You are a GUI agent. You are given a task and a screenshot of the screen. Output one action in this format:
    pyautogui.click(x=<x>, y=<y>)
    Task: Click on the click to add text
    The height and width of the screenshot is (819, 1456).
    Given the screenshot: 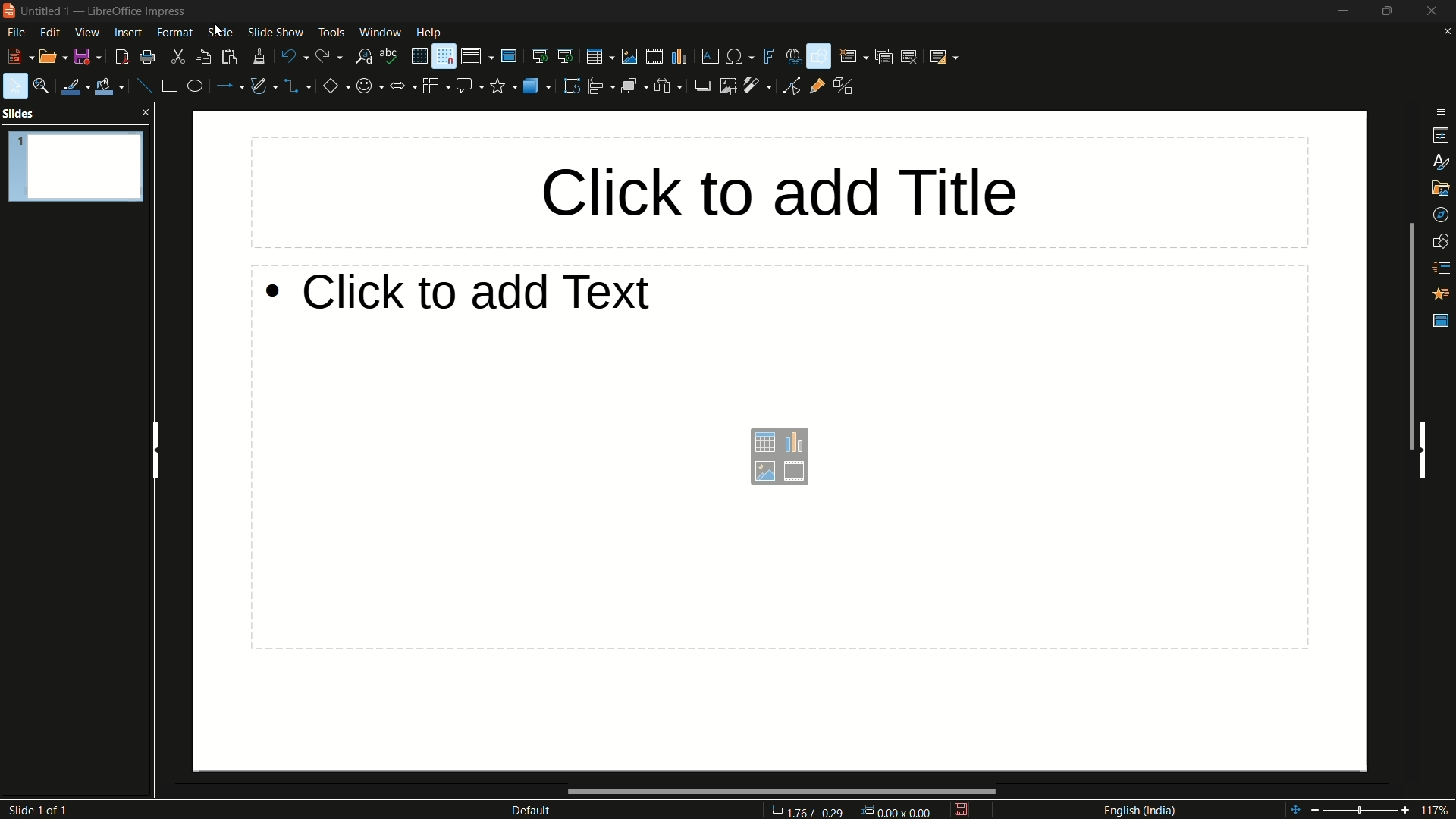 What is the action you would take?
    pyautogui.click(x=492, y=293)
    